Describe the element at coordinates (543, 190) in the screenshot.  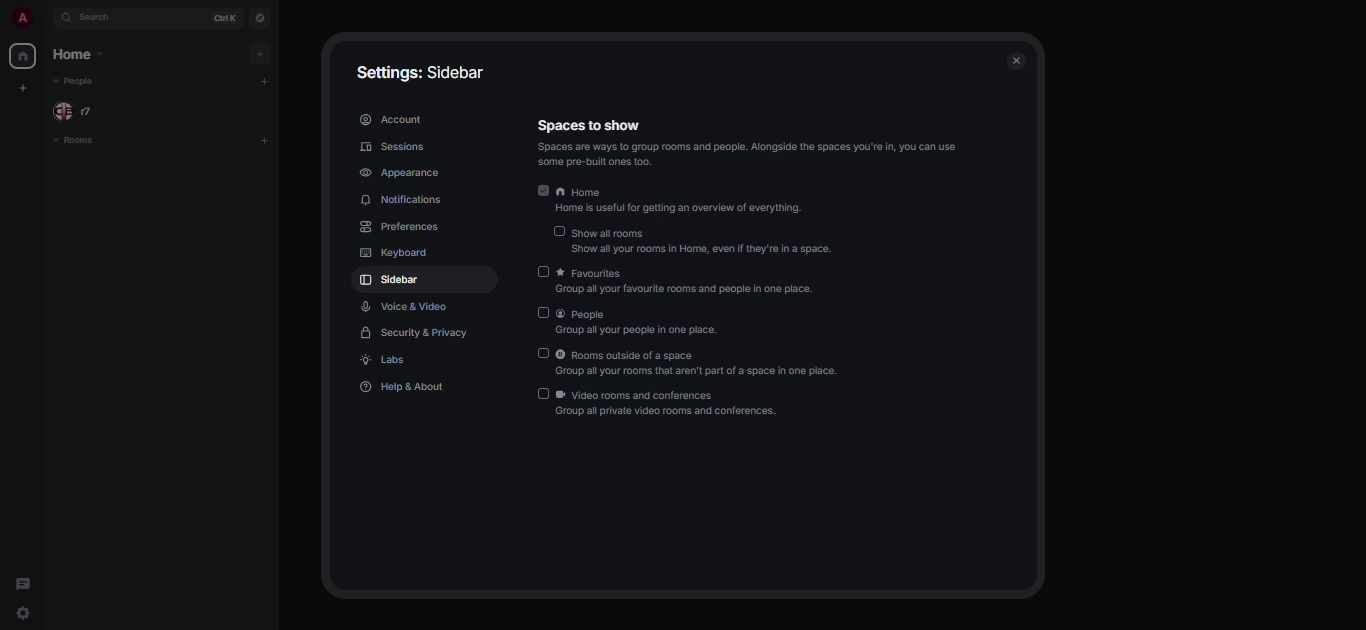
I see `enabled` at that location.